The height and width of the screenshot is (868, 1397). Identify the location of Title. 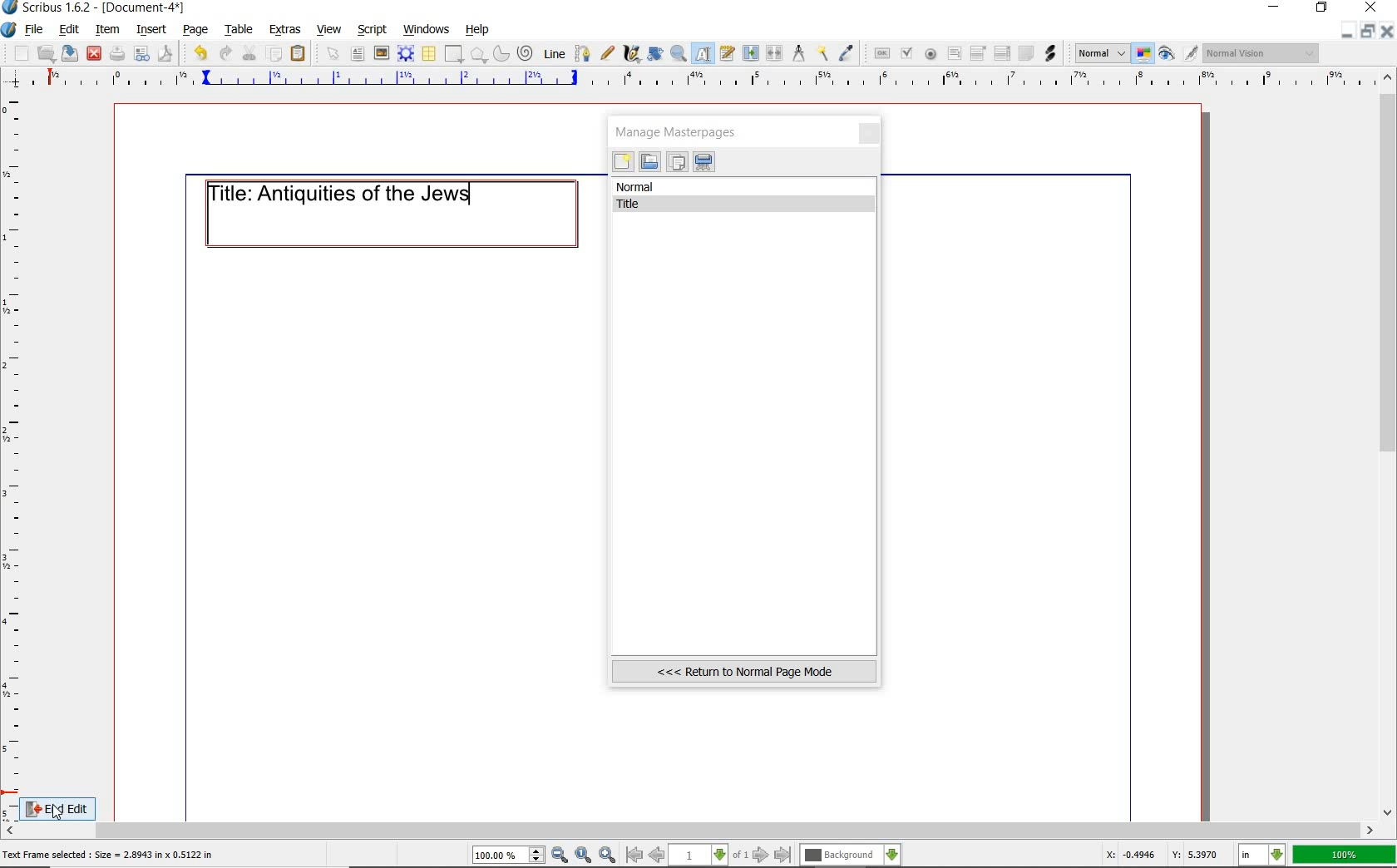
(747, 205).